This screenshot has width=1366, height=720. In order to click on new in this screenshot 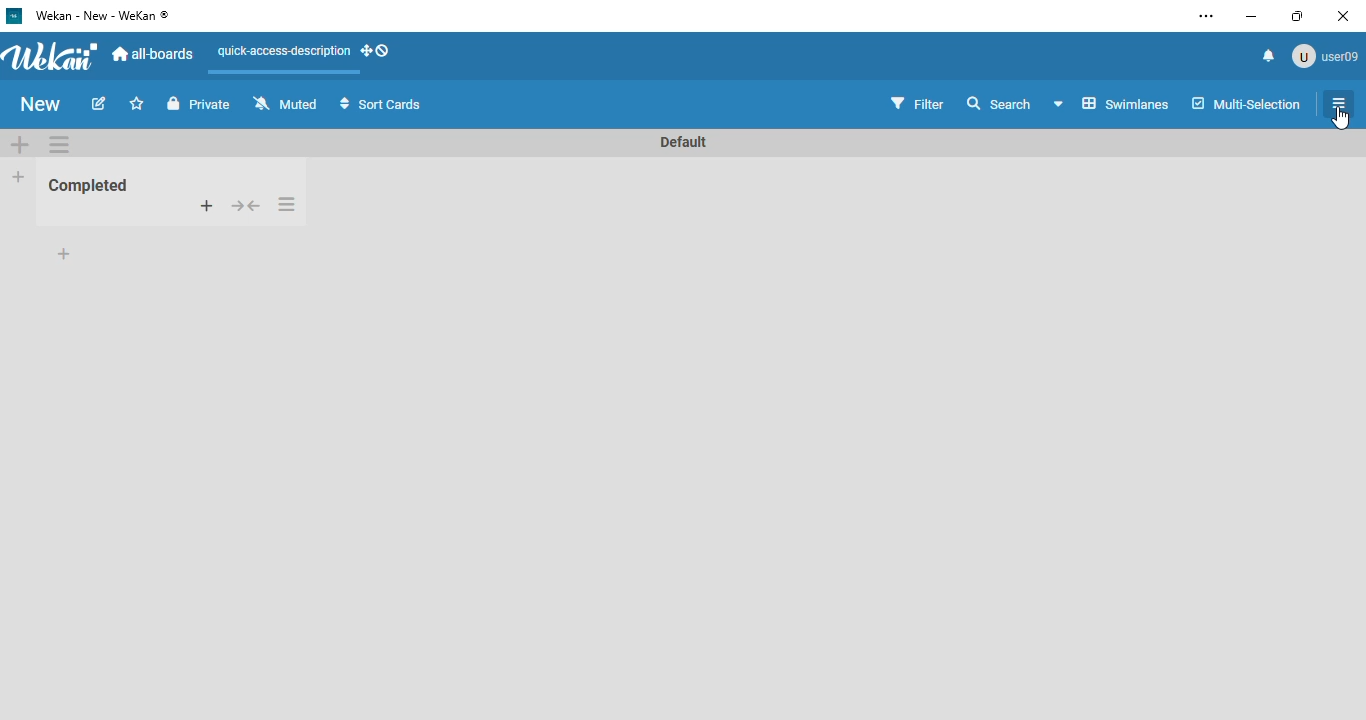, I will do `click(42, 104)`.